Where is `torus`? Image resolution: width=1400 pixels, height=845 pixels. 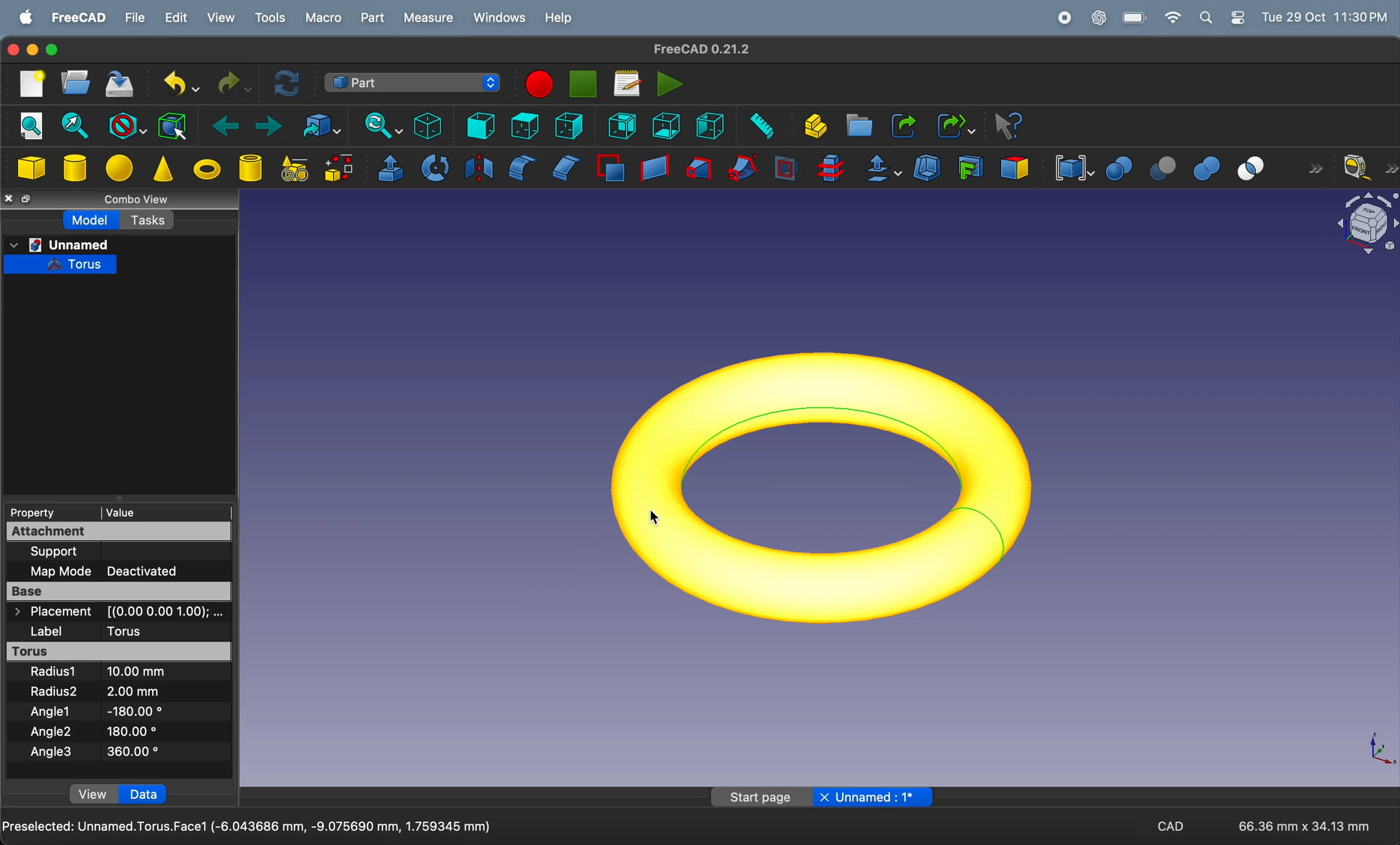
torus is located at coordinates (208, 171).